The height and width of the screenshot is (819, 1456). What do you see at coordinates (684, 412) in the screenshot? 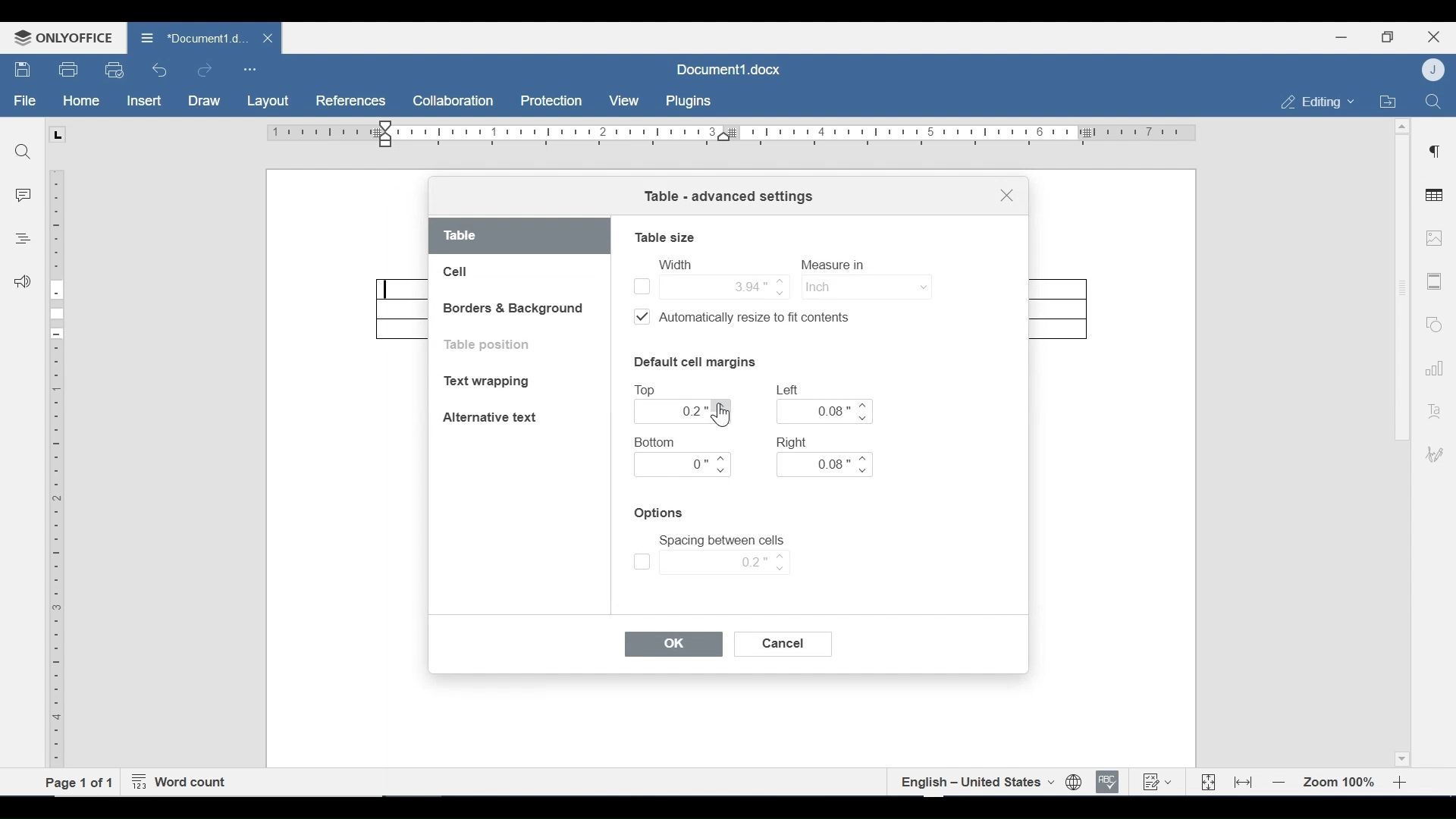
I see `0.2` at bounding box center [684, 412].